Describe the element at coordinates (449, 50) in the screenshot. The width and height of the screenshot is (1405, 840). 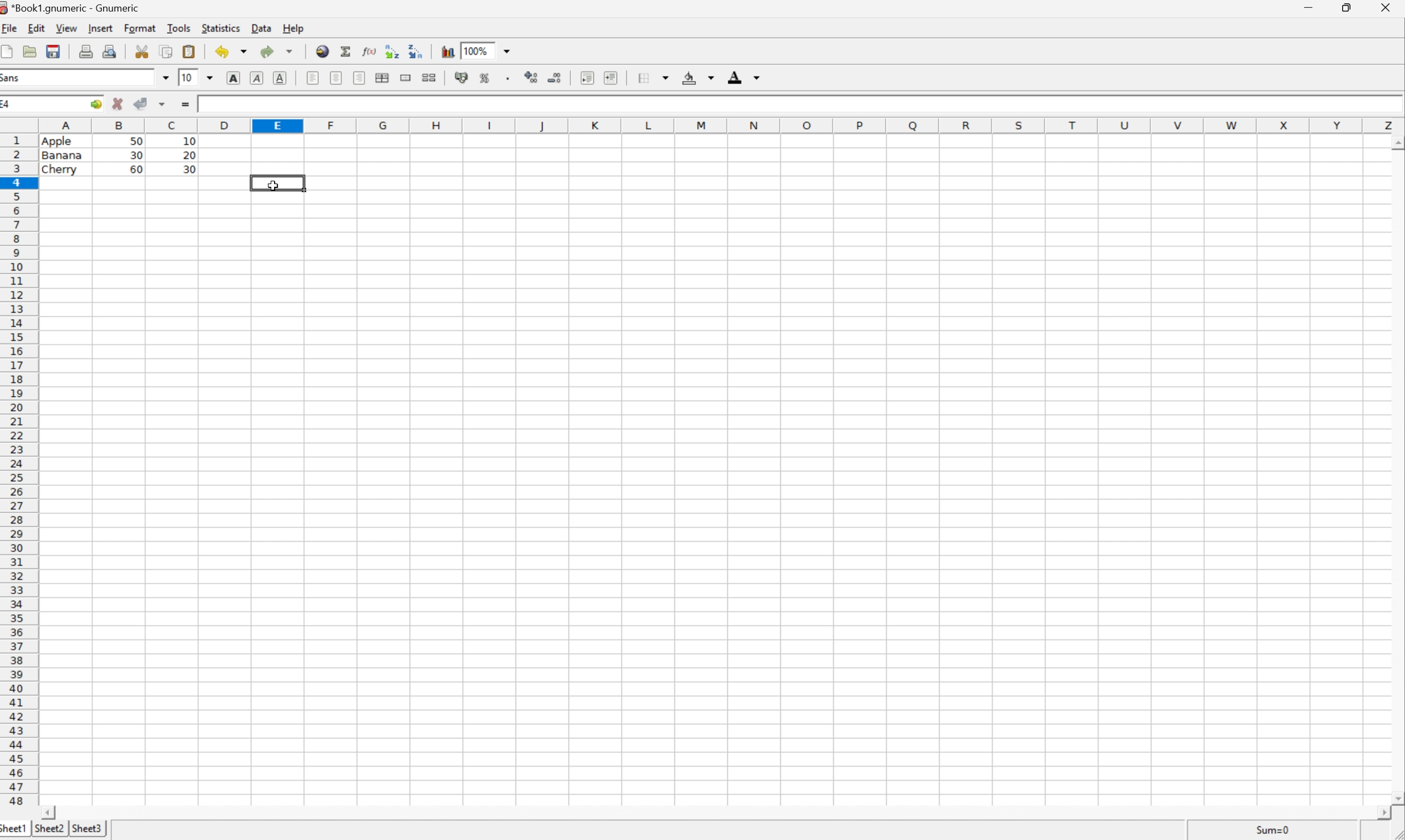
I see `insert chart` at that location.